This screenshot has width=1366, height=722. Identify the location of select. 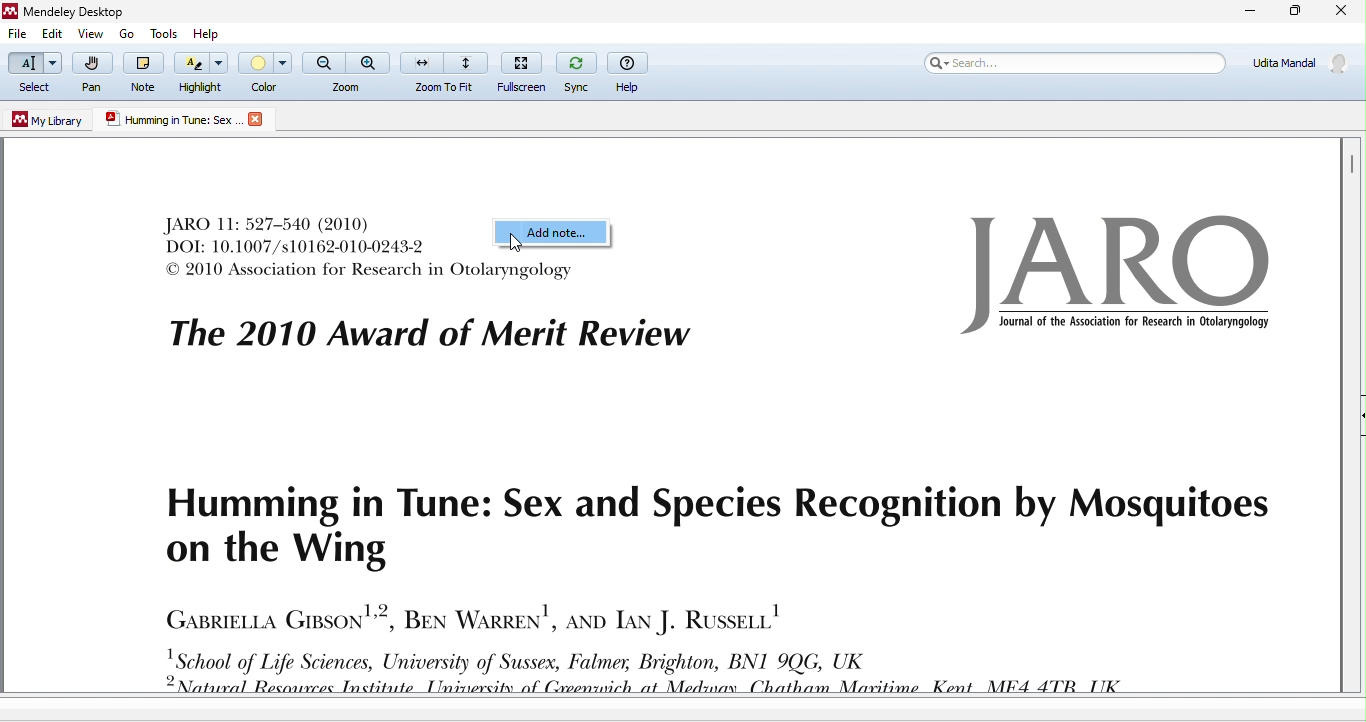
(35, 74).